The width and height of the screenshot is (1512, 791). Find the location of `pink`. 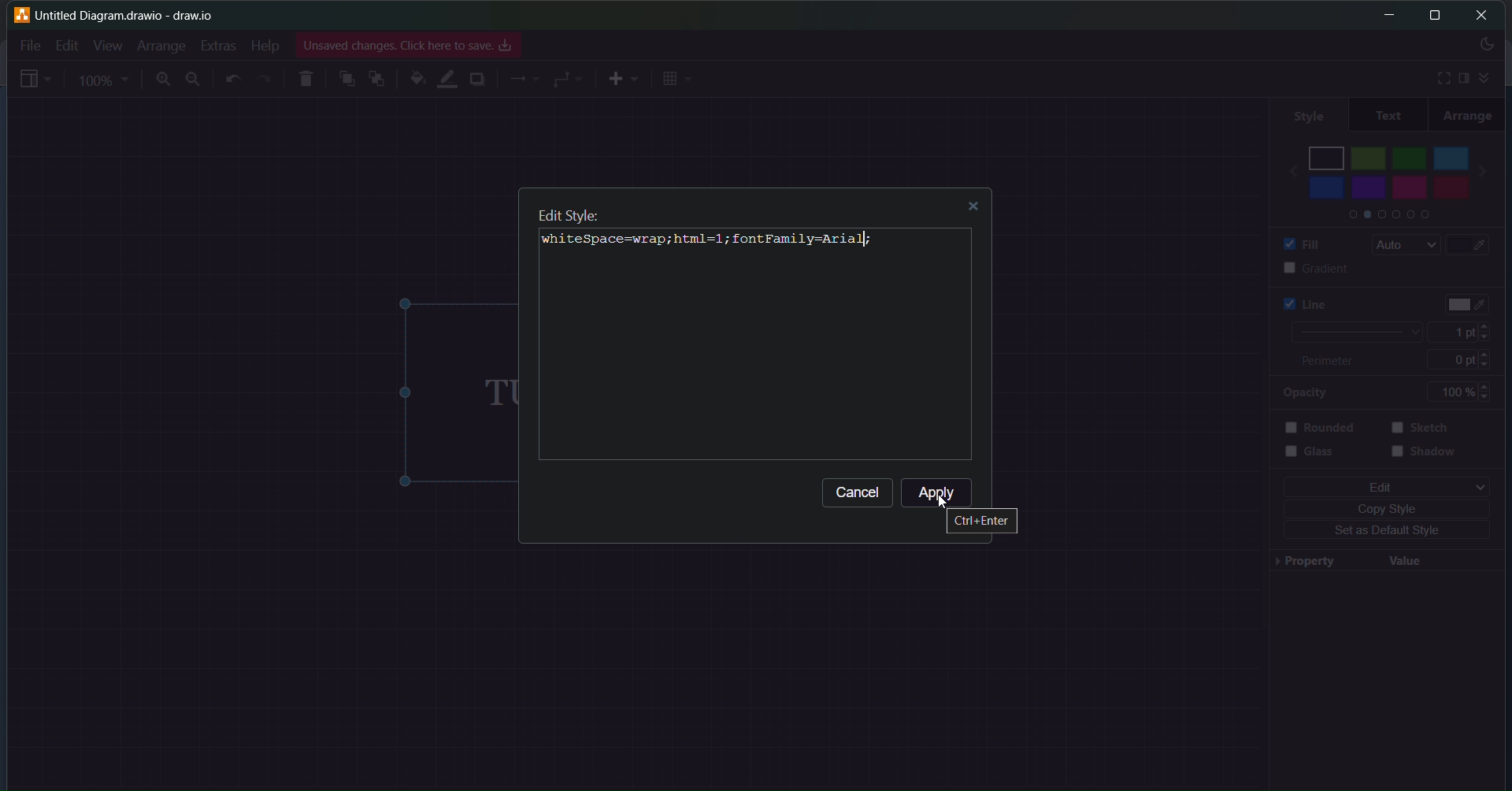

pink is located at coordinates (1409, 192).